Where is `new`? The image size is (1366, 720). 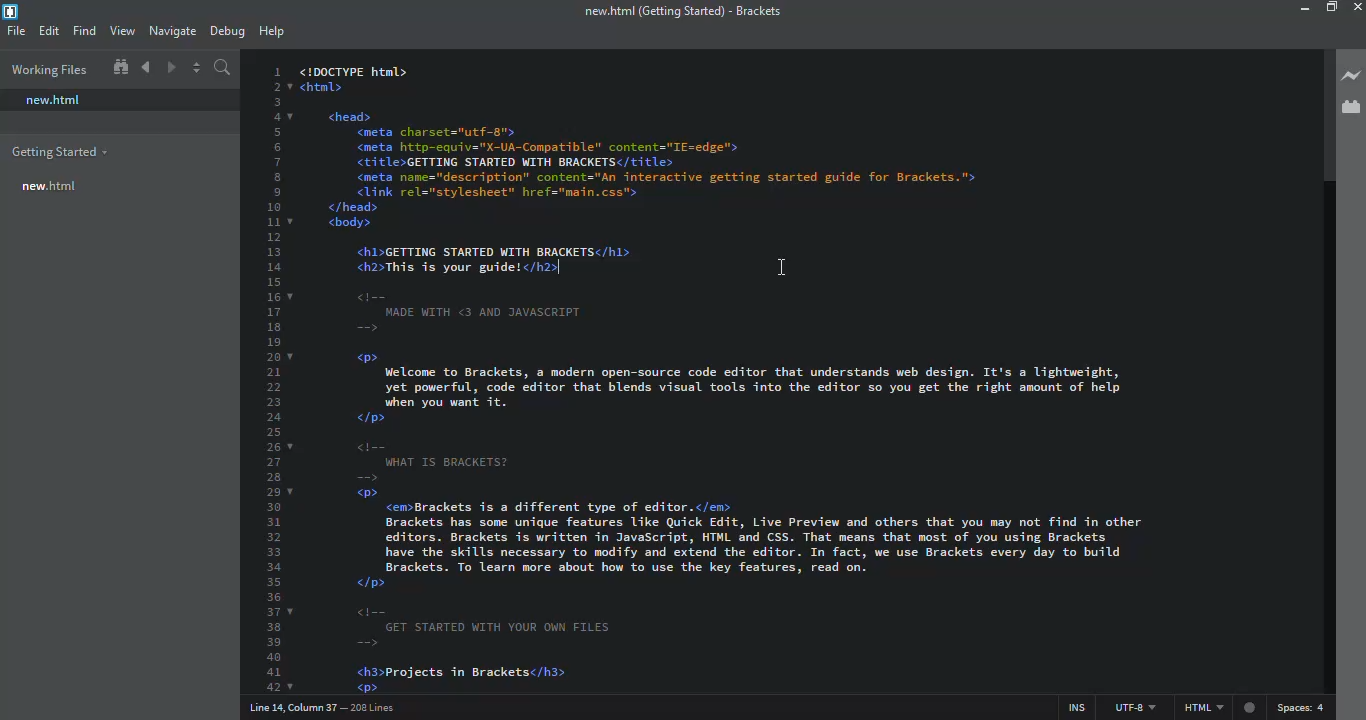
new is located at coordinates (49, 183).